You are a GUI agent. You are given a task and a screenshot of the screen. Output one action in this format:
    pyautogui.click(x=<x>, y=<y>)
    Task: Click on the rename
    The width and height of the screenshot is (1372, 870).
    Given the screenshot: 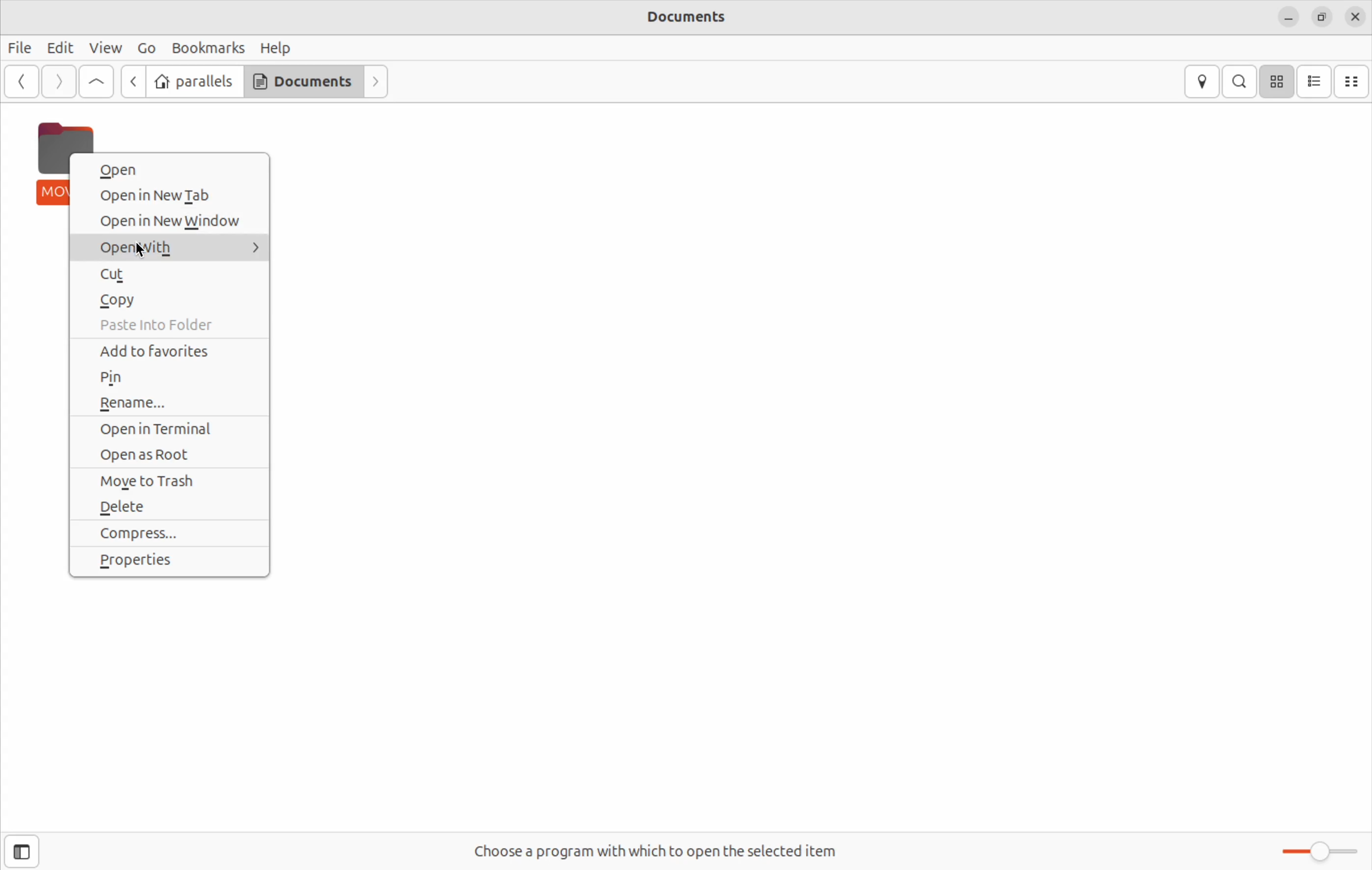 What is the action you would take?
    pyautogui.click(x=169, y=402)
    